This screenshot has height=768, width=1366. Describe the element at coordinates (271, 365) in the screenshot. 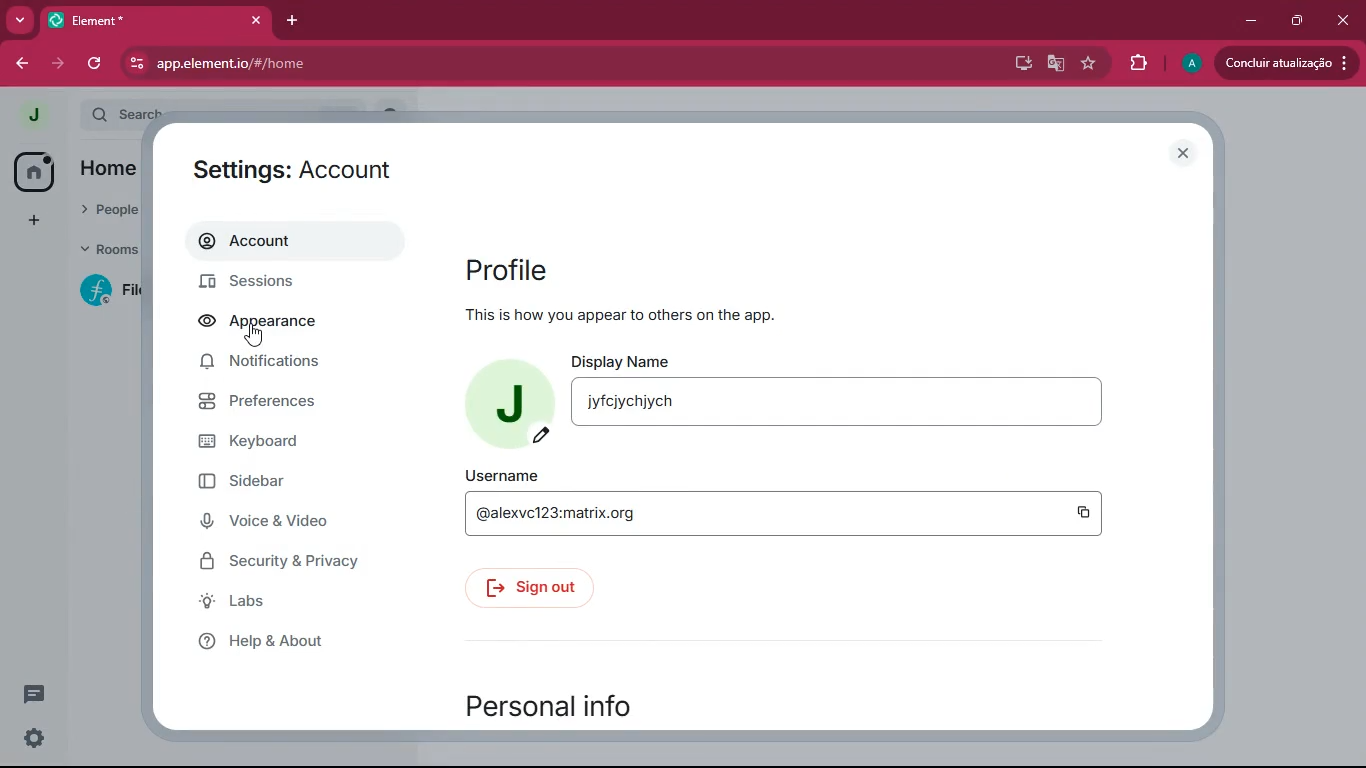

I see `notifications` at that location.